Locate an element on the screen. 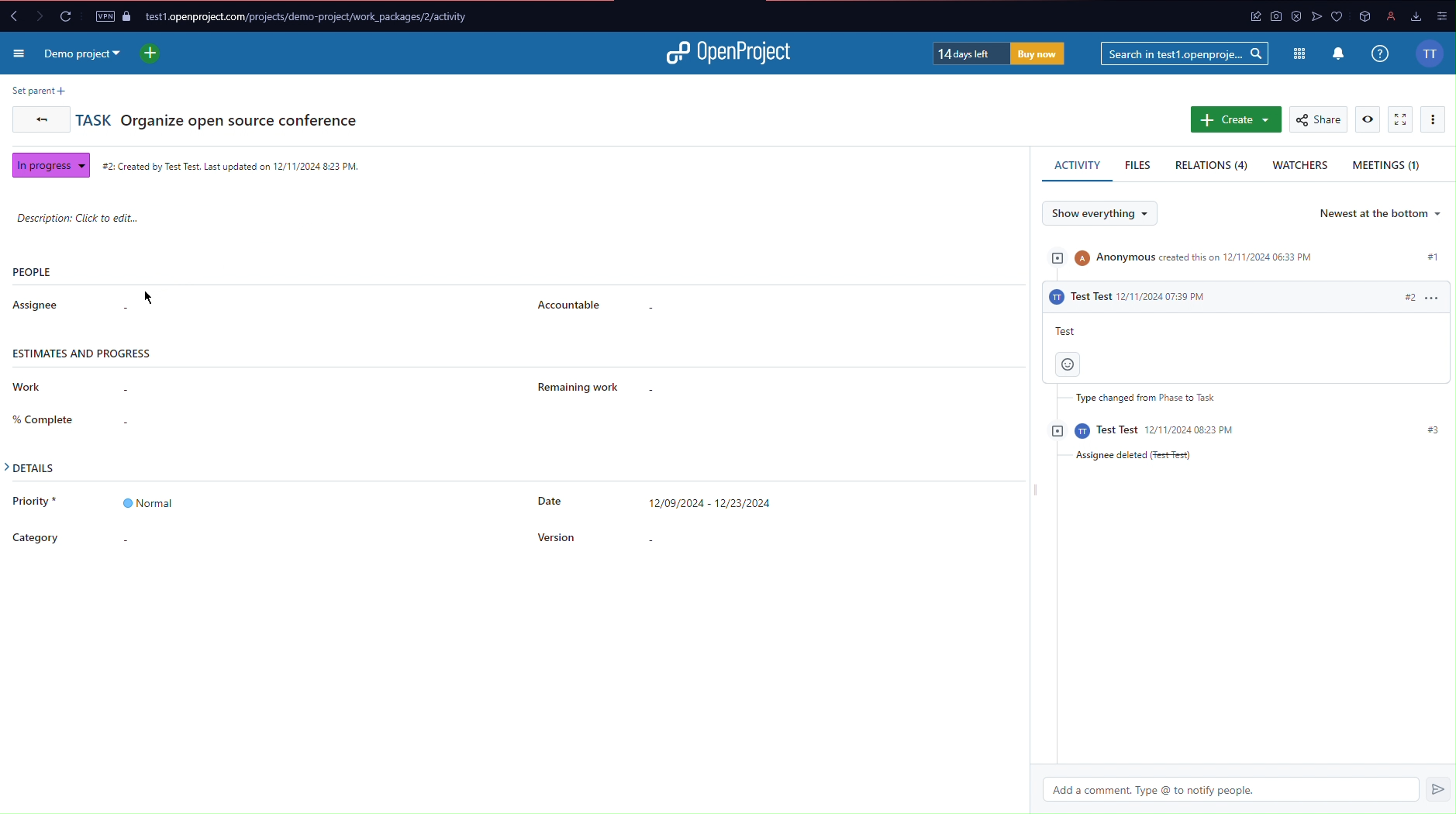 This screenshot has width=1456, height=814. Notifications is located at coordinates (1338, 54).